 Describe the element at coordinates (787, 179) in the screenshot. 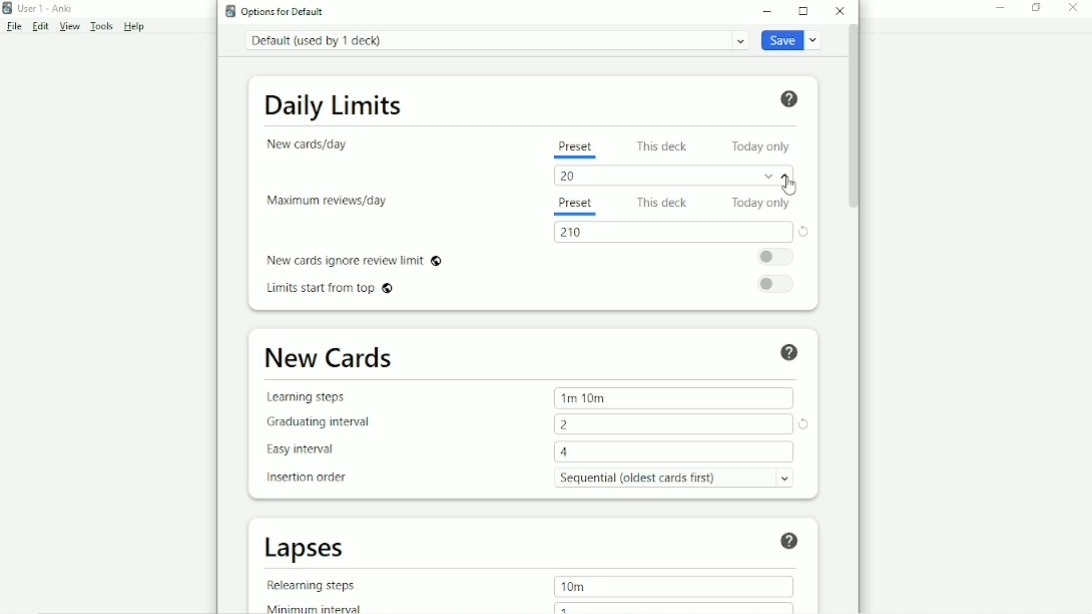

I see `Increment value` at that location.